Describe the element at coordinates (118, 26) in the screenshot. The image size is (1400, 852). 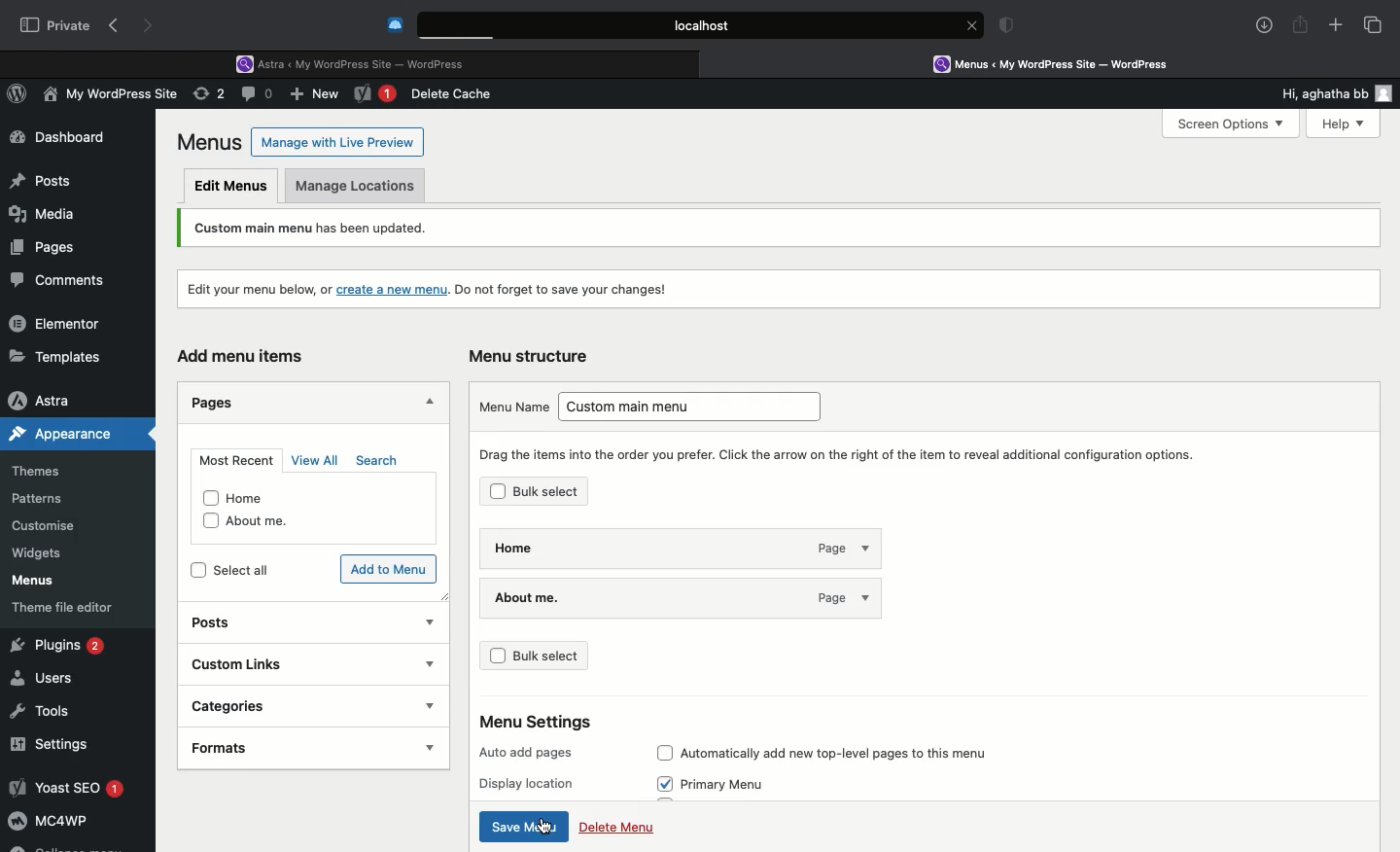
I see `Back` at that location.